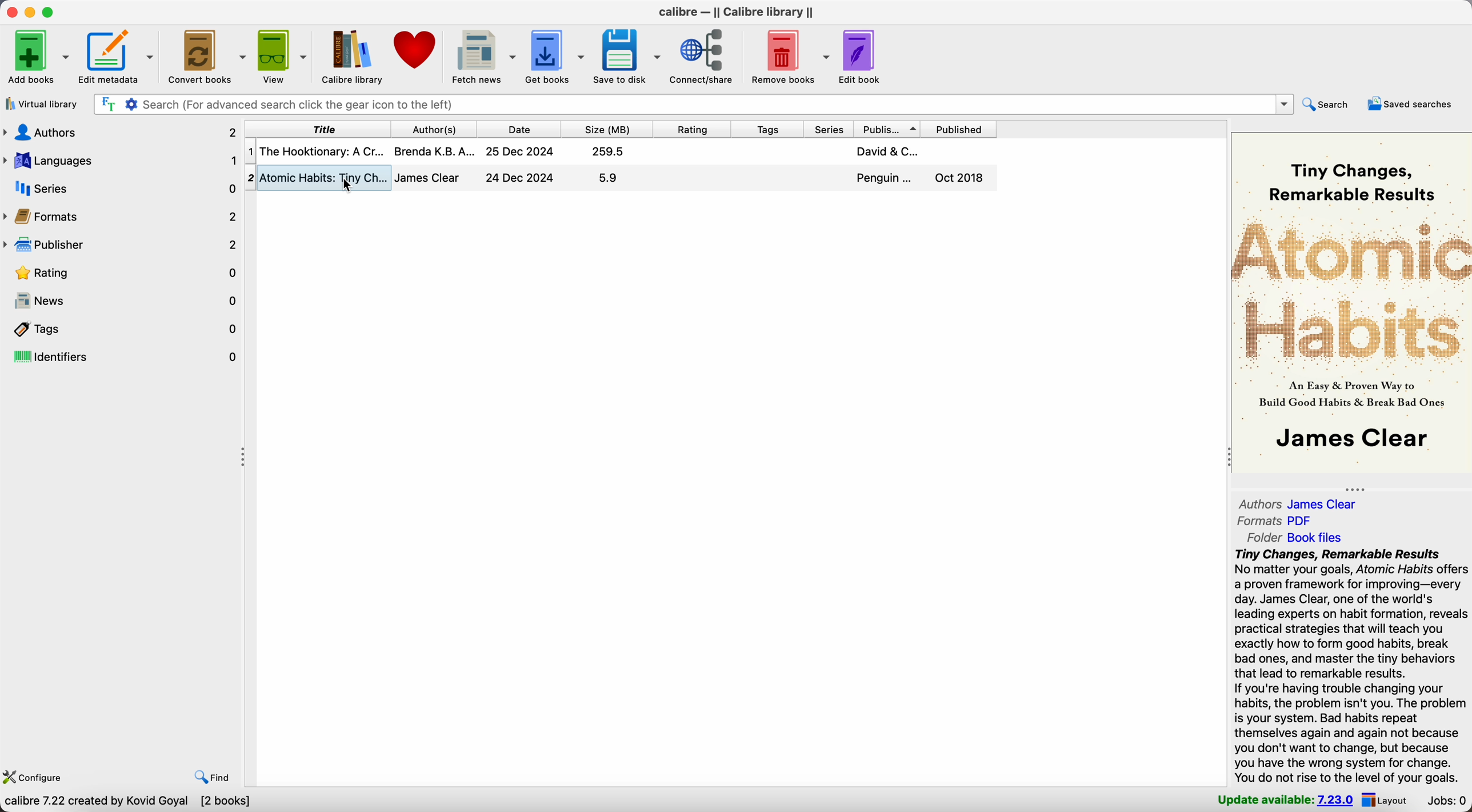  I want to click on Cursor, so click(350, 186).